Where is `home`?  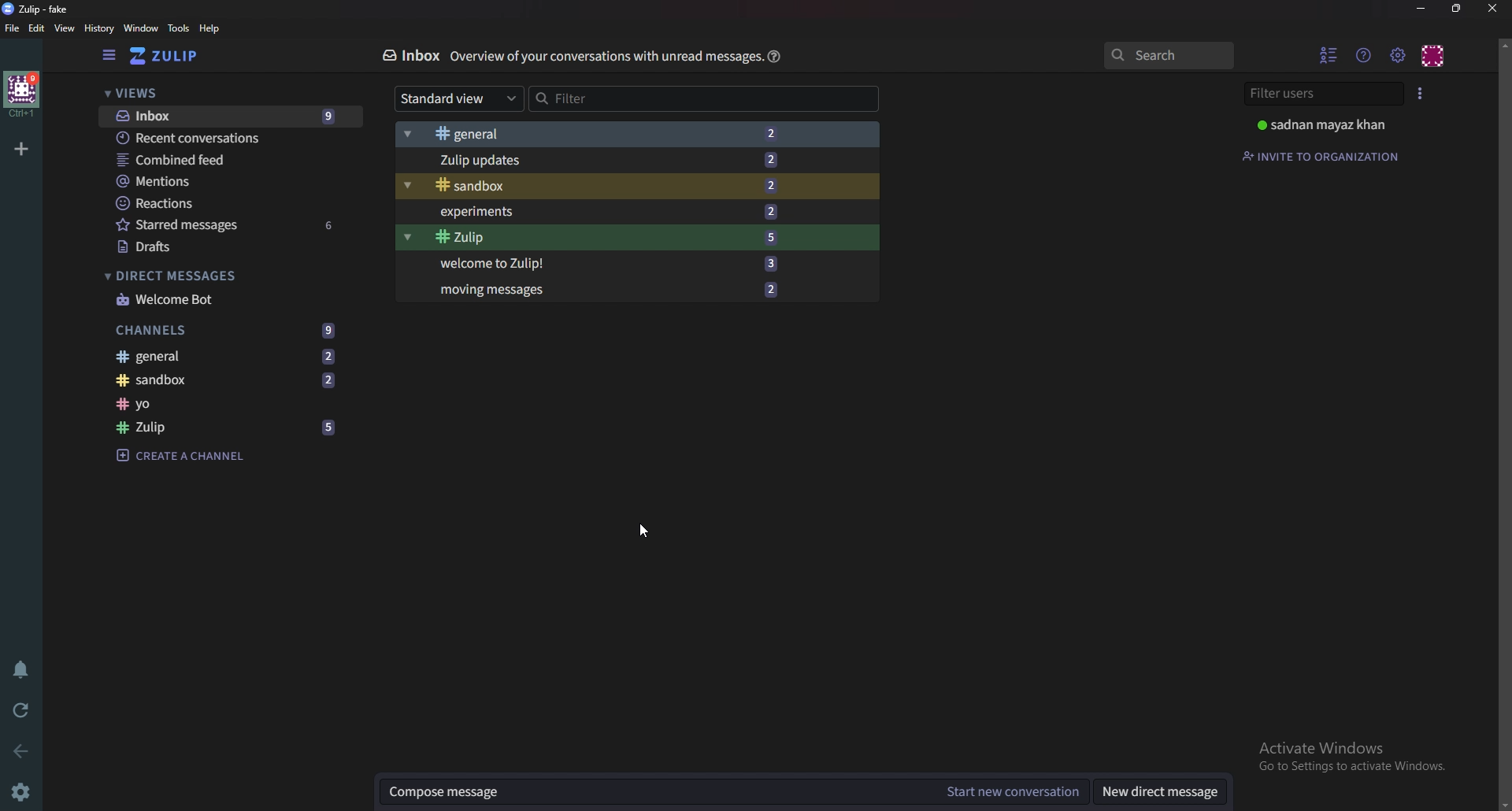
home is located at coordinates (21, 94).